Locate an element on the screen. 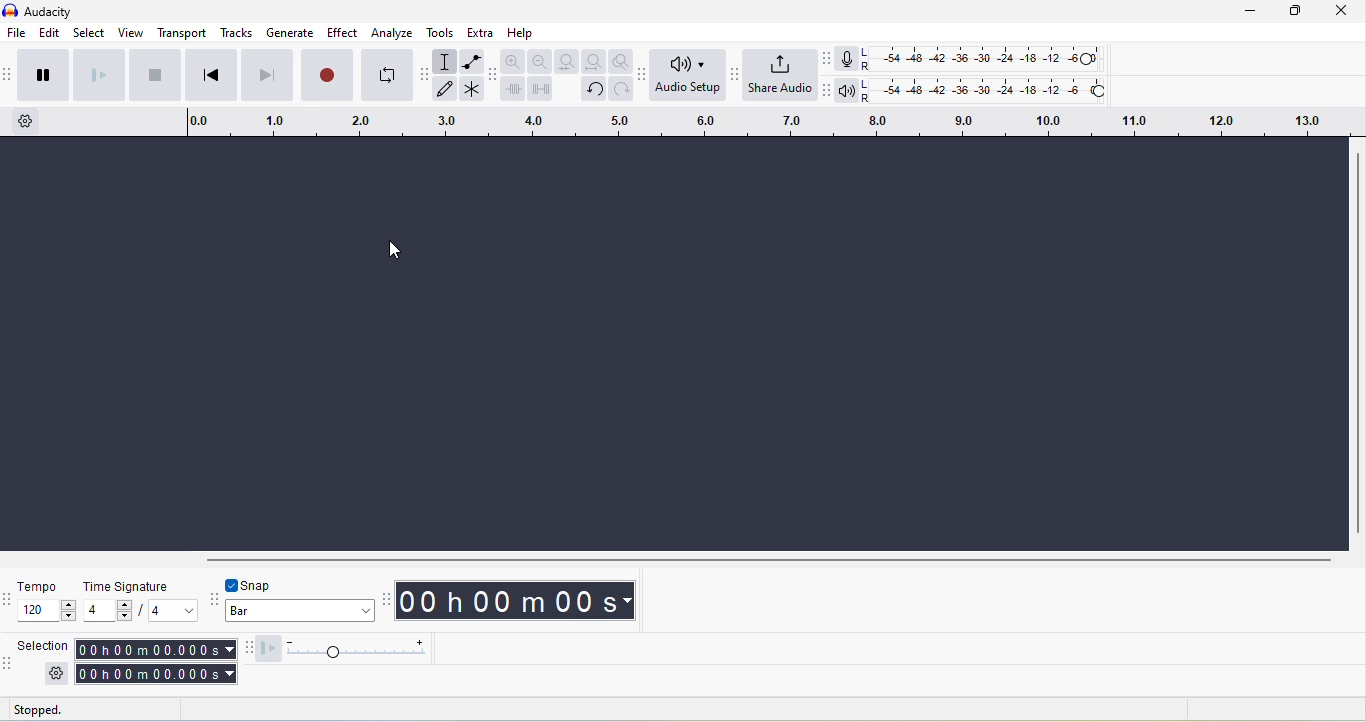  transport is located at coordinates (182, 33).